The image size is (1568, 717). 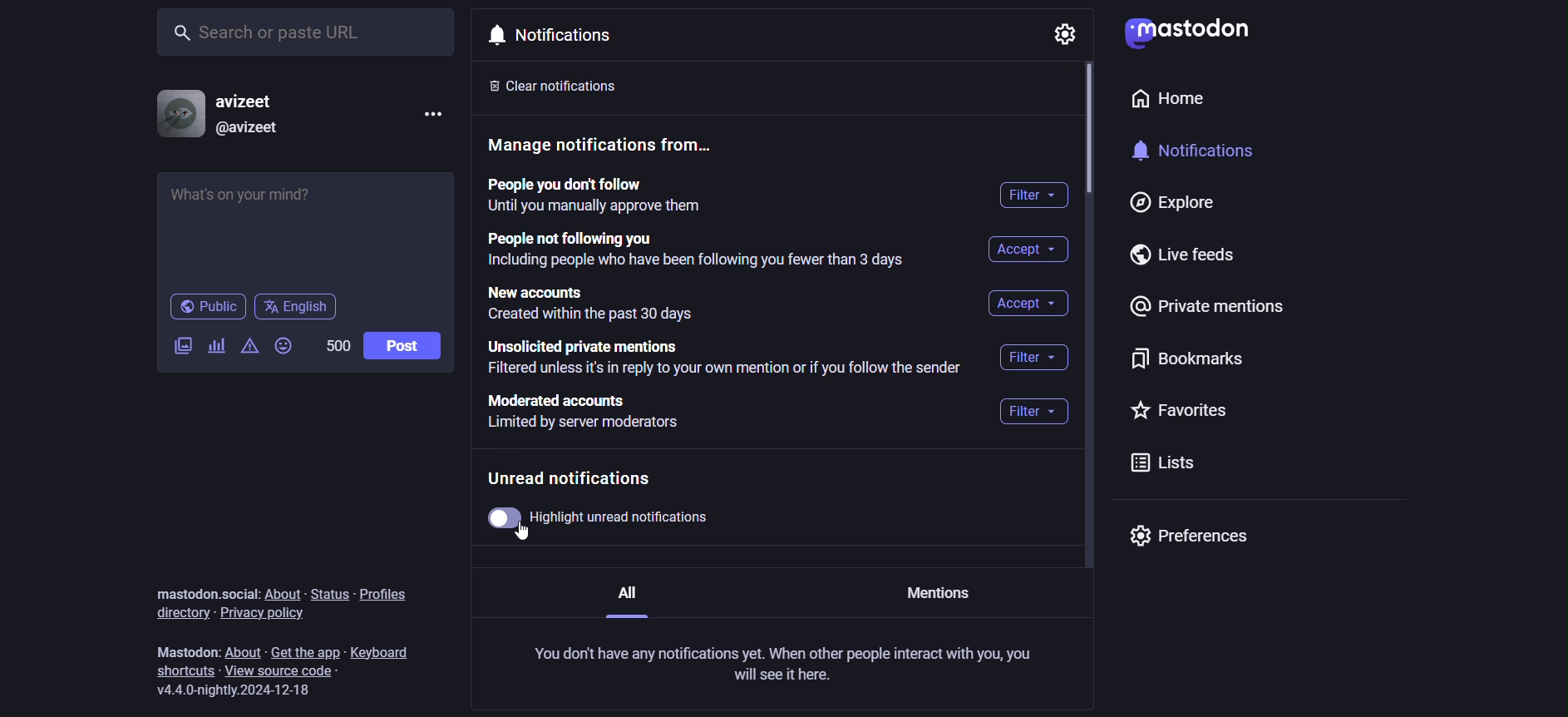 What do you see at coordinates (431, 111) in the screenshot?
I see `menu` at bounding box center [431, 111].